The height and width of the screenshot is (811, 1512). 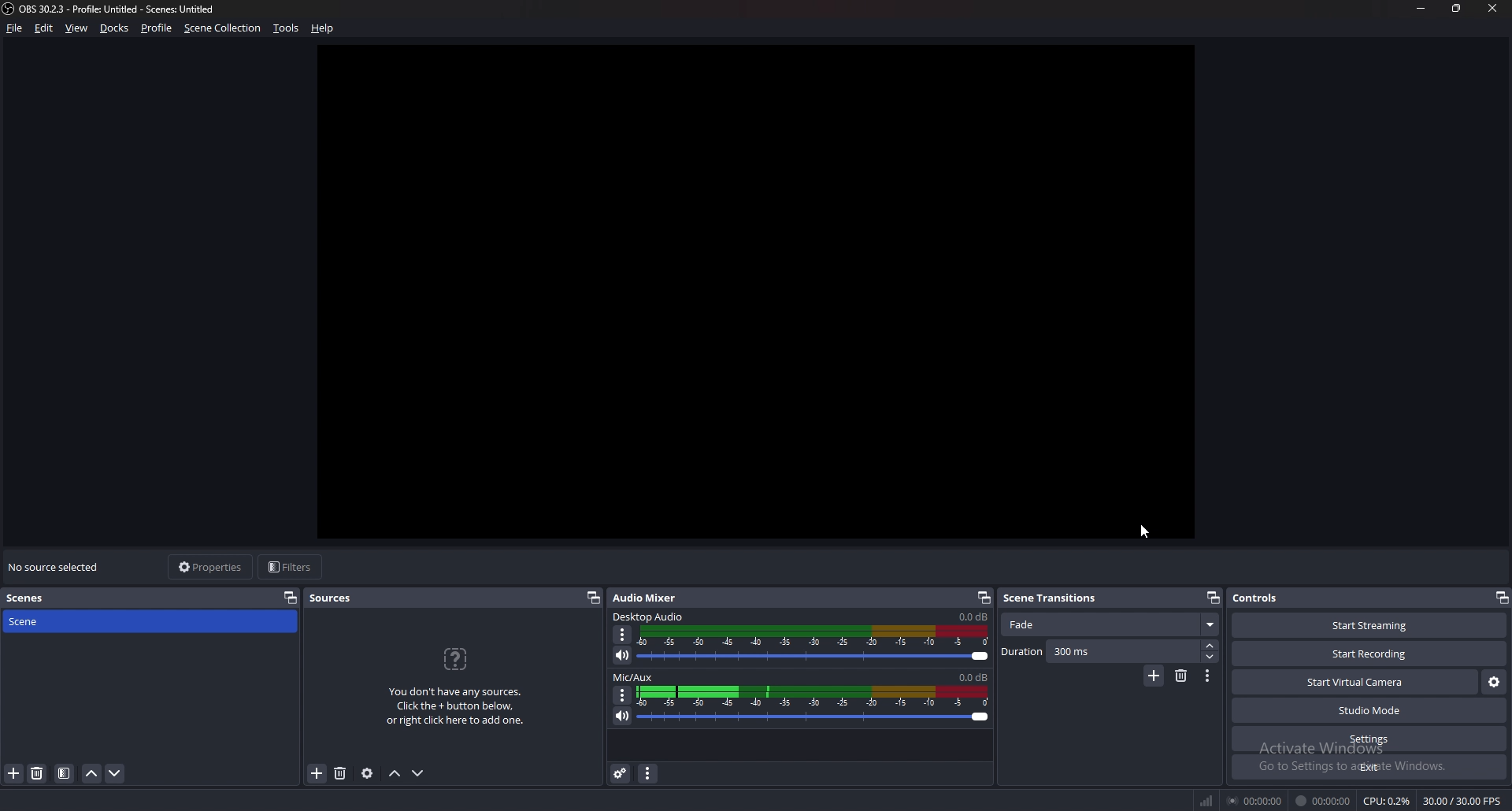 What do you see at coordinates (157, 28) in the screenshot?
I see `profile` at bounding box center [157, 28].